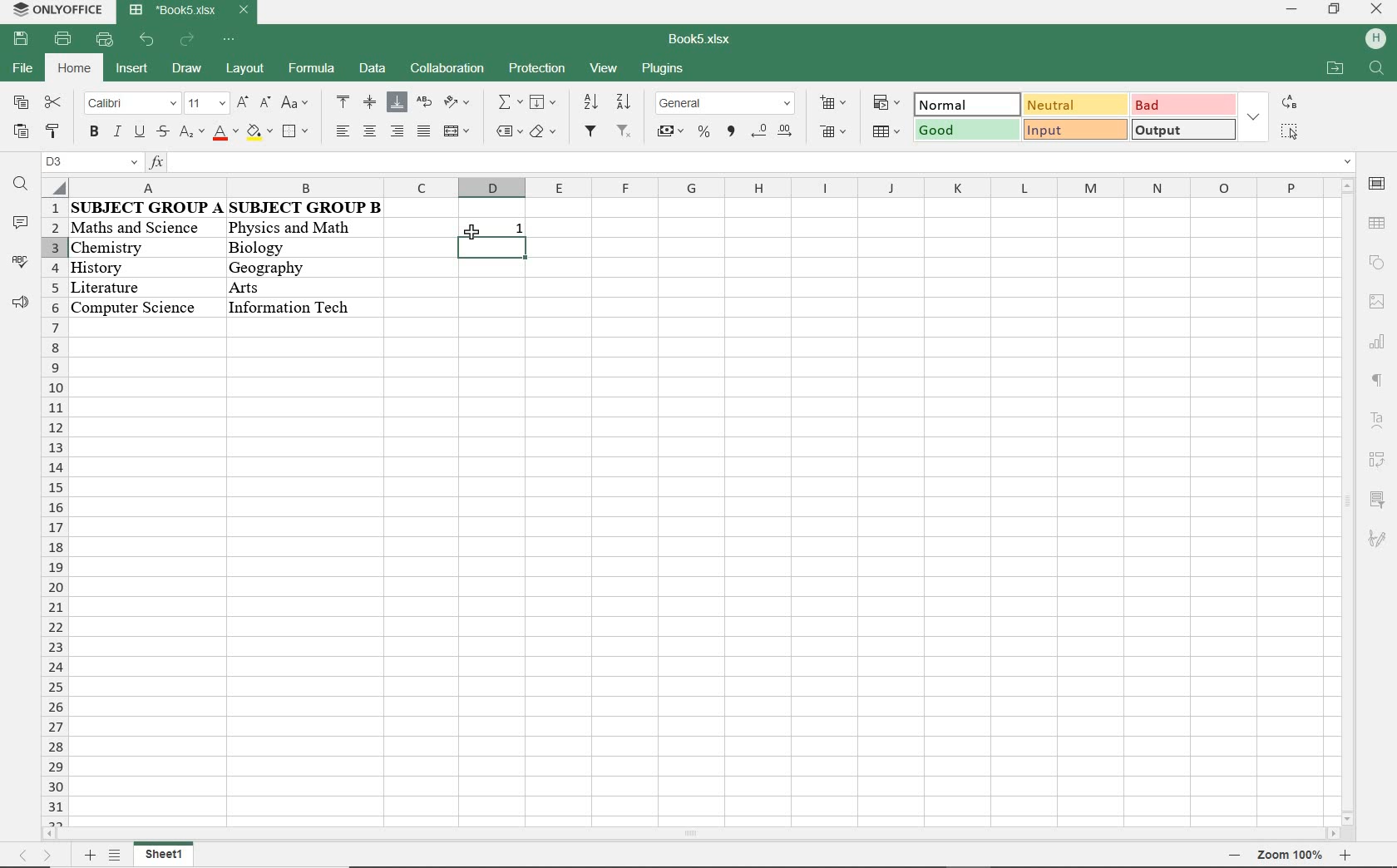 The height and width of the screenshot is (868, 1397). What do you see at coordinates (1074, 129) in the screenshot?
I see `input` at bounding box center [1074, 129].